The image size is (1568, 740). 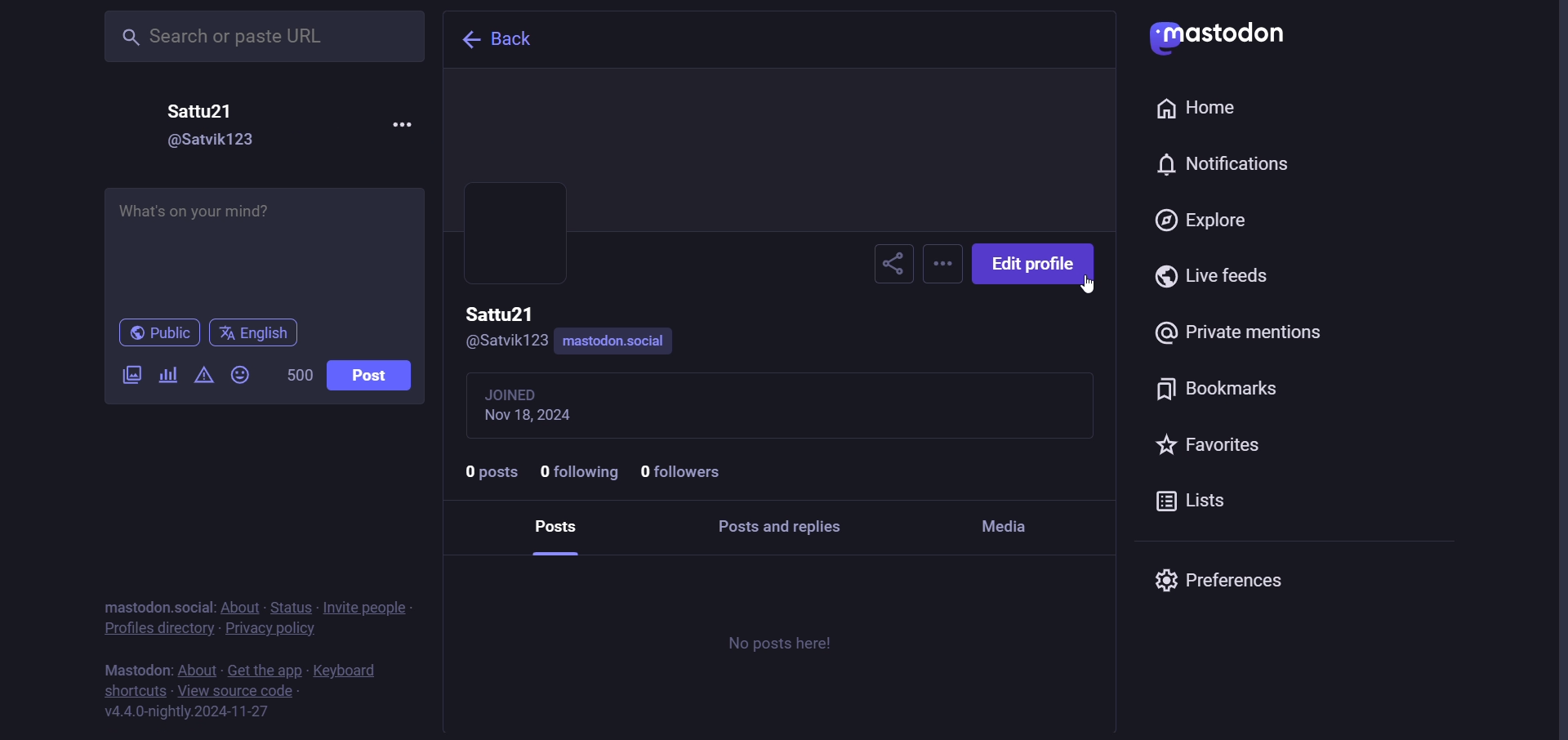 I want to click on edit profile, so click(x=1034, y=265).